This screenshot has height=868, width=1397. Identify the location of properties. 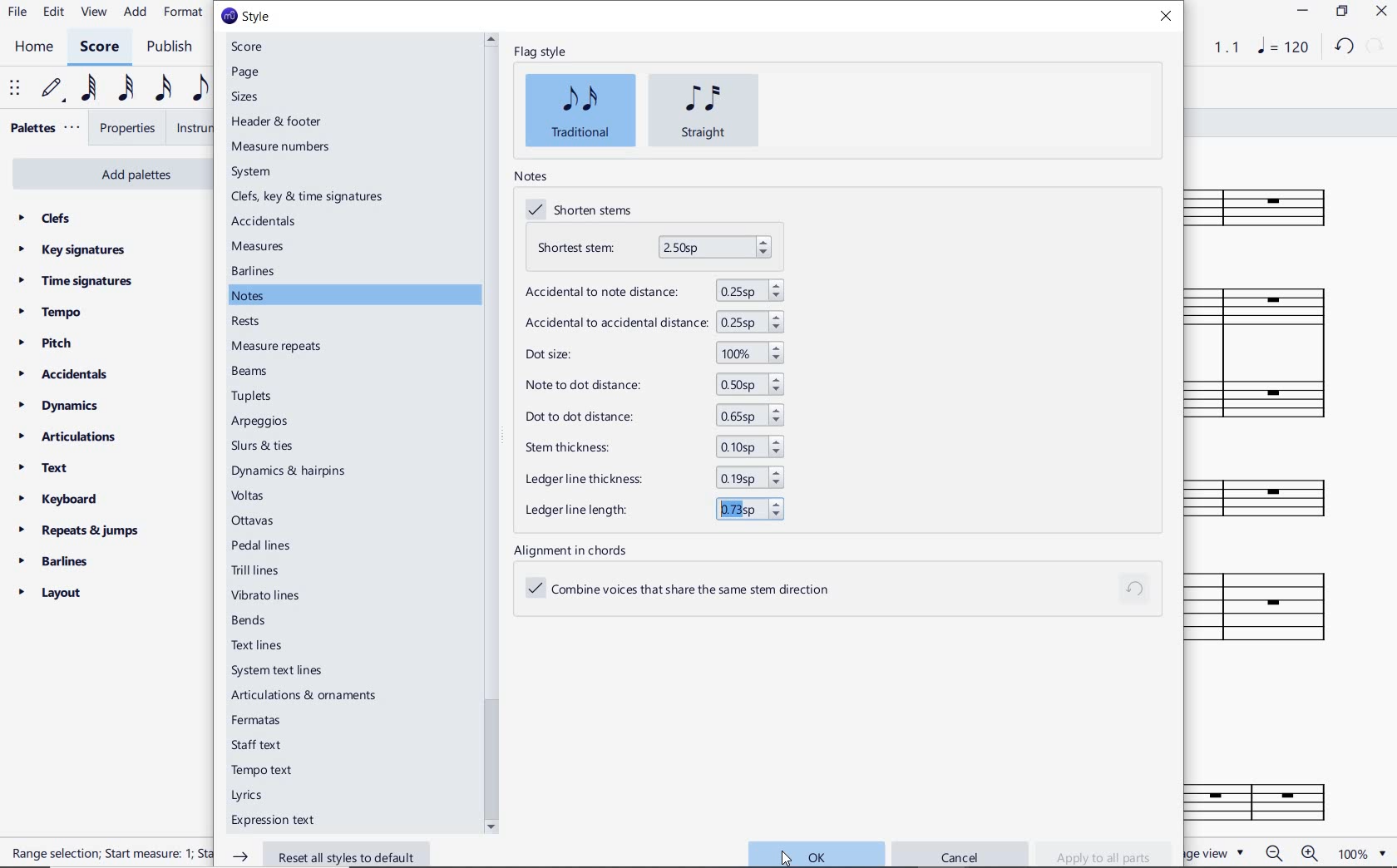
(129, 129).